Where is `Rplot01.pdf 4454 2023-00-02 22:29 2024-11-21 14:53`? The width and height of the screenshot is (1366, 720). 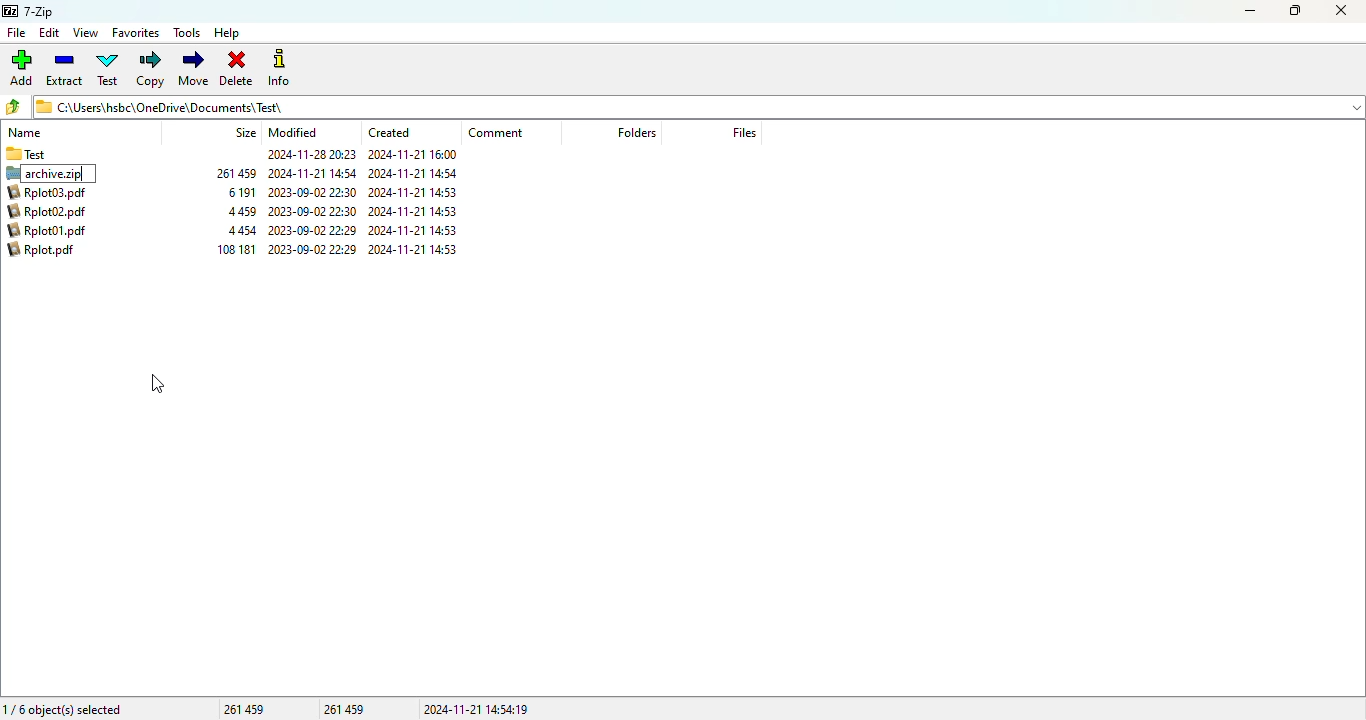 Rplot01.pdf 4454 2023-00-02 22:29 2024-11-21 14:53 is located at coordinates (53, 229).